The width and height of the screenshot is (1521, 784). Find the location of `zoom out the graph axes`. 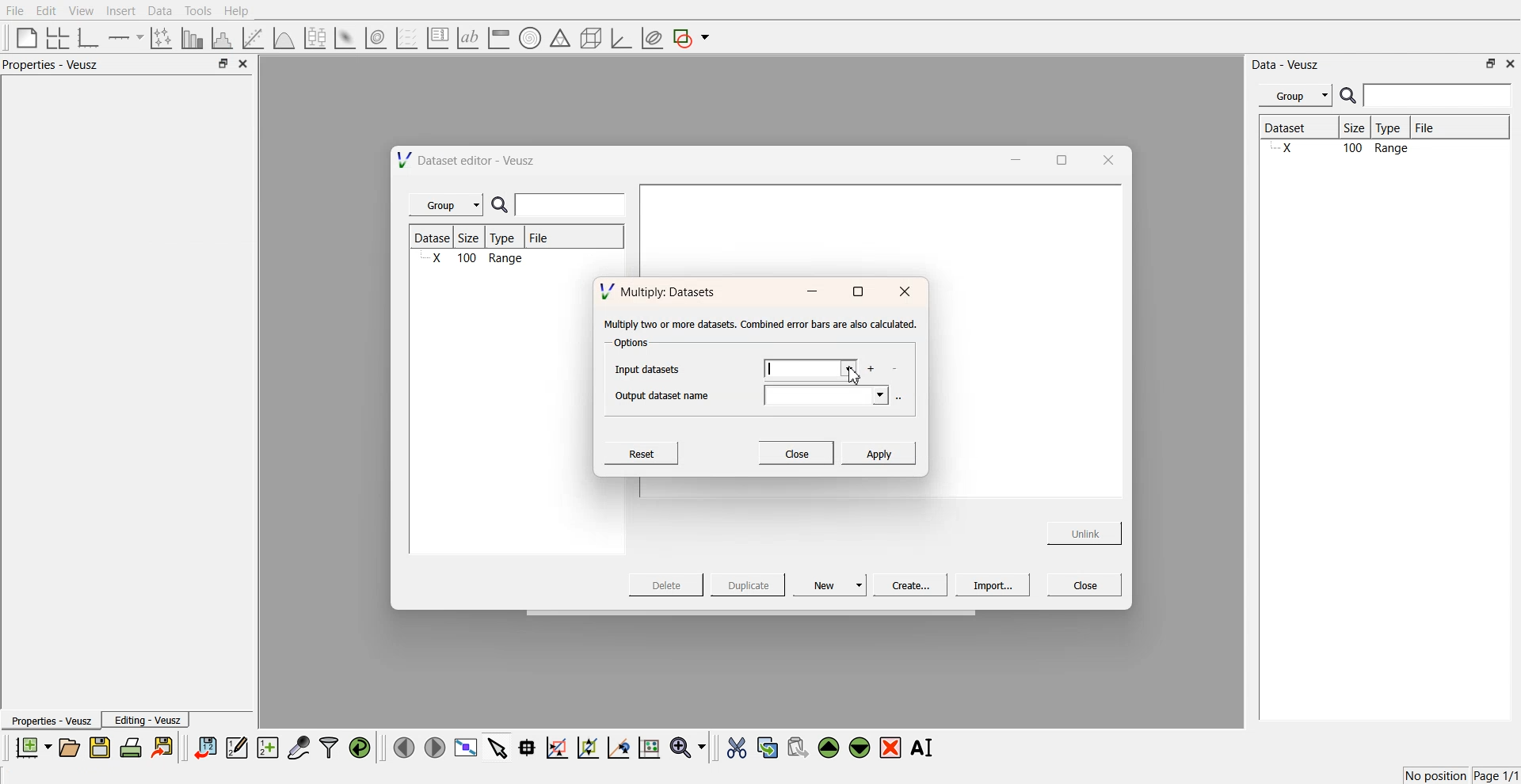

zoom out the graph axes is located at coordinates (586, 747).